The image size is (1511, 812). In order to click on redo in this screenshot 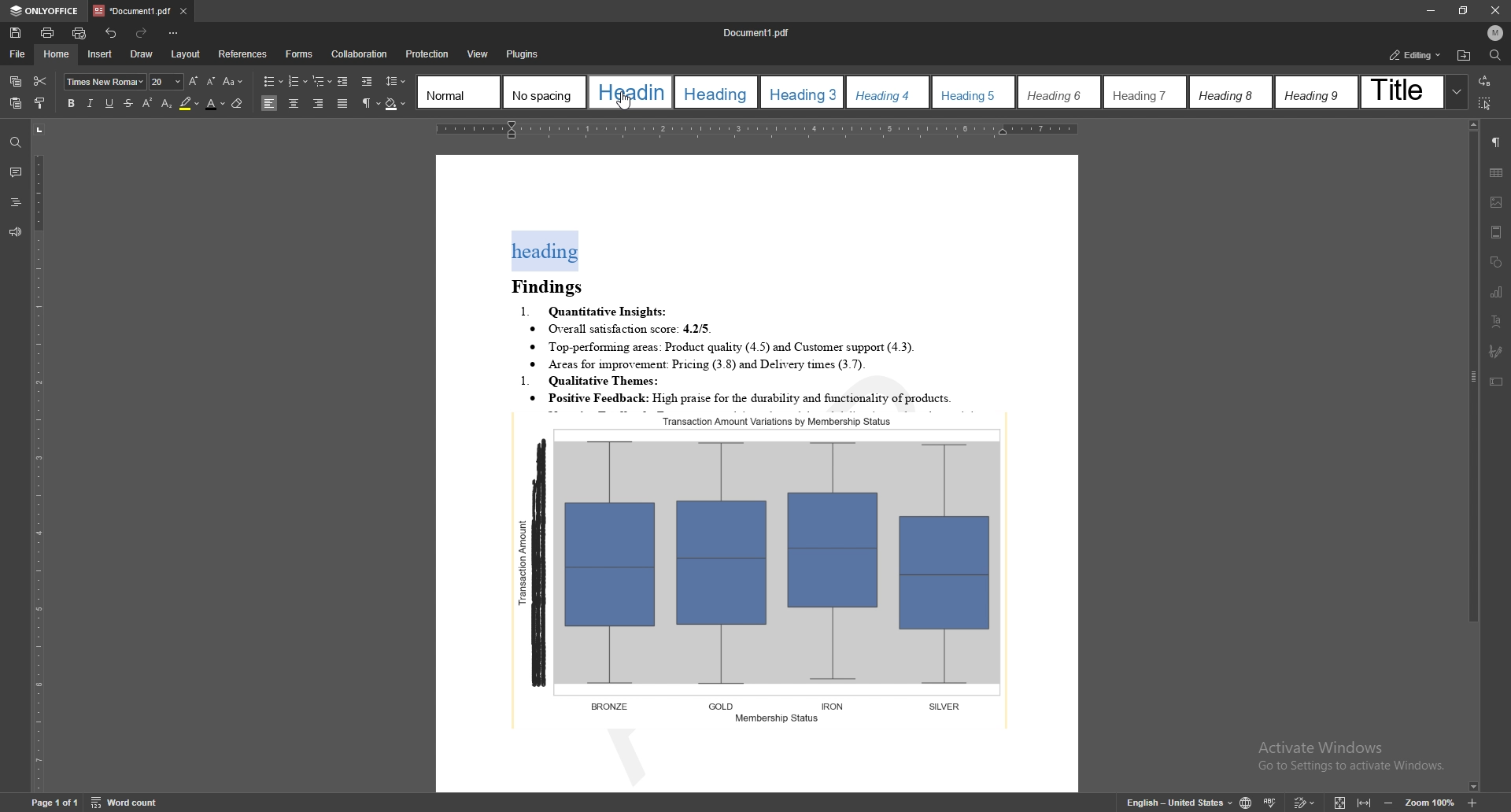, I will do `click(143, 34)`.